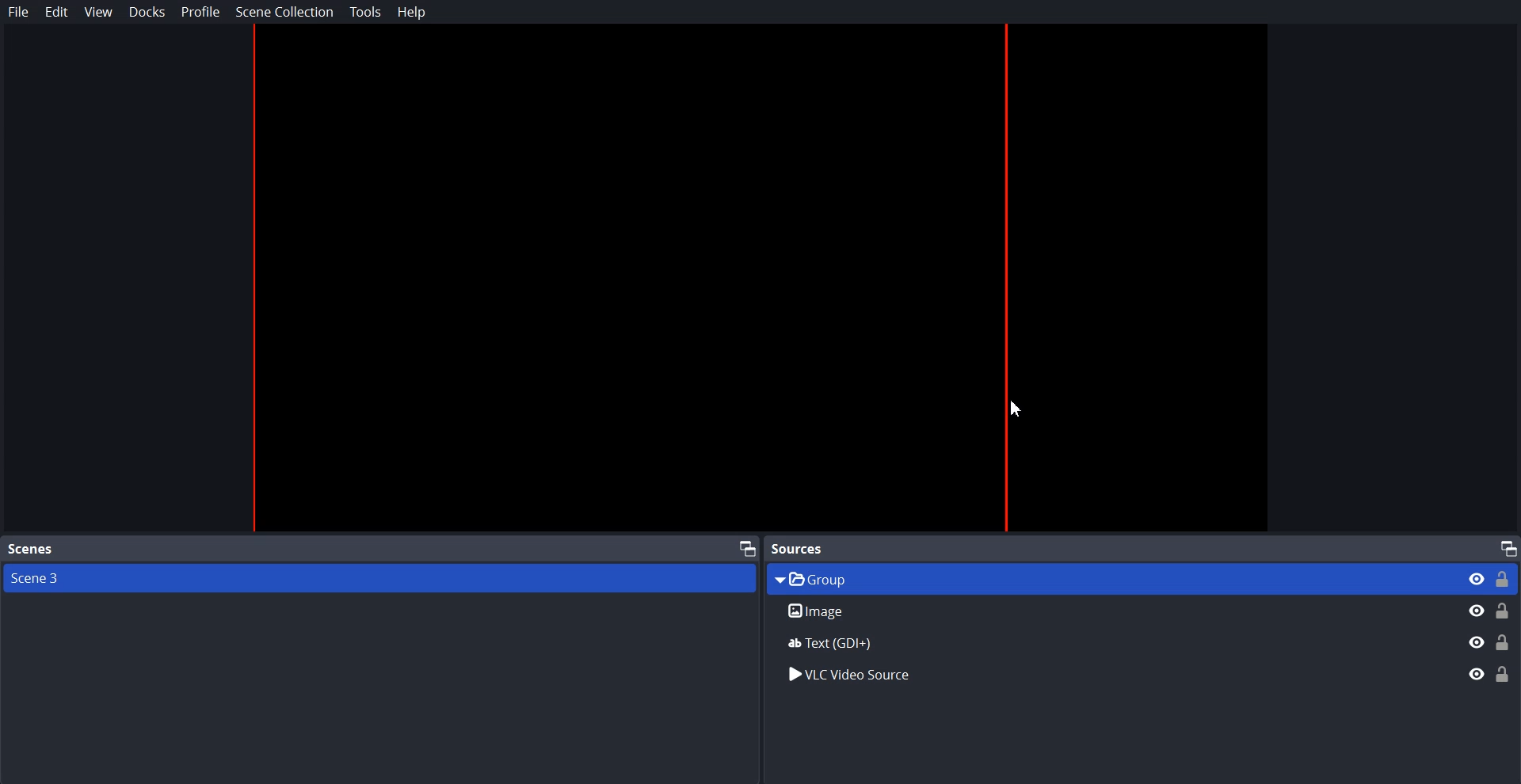  Describe the element at coordinates (284, 11) in the screenshot. I see `Scene Collection` at that location.